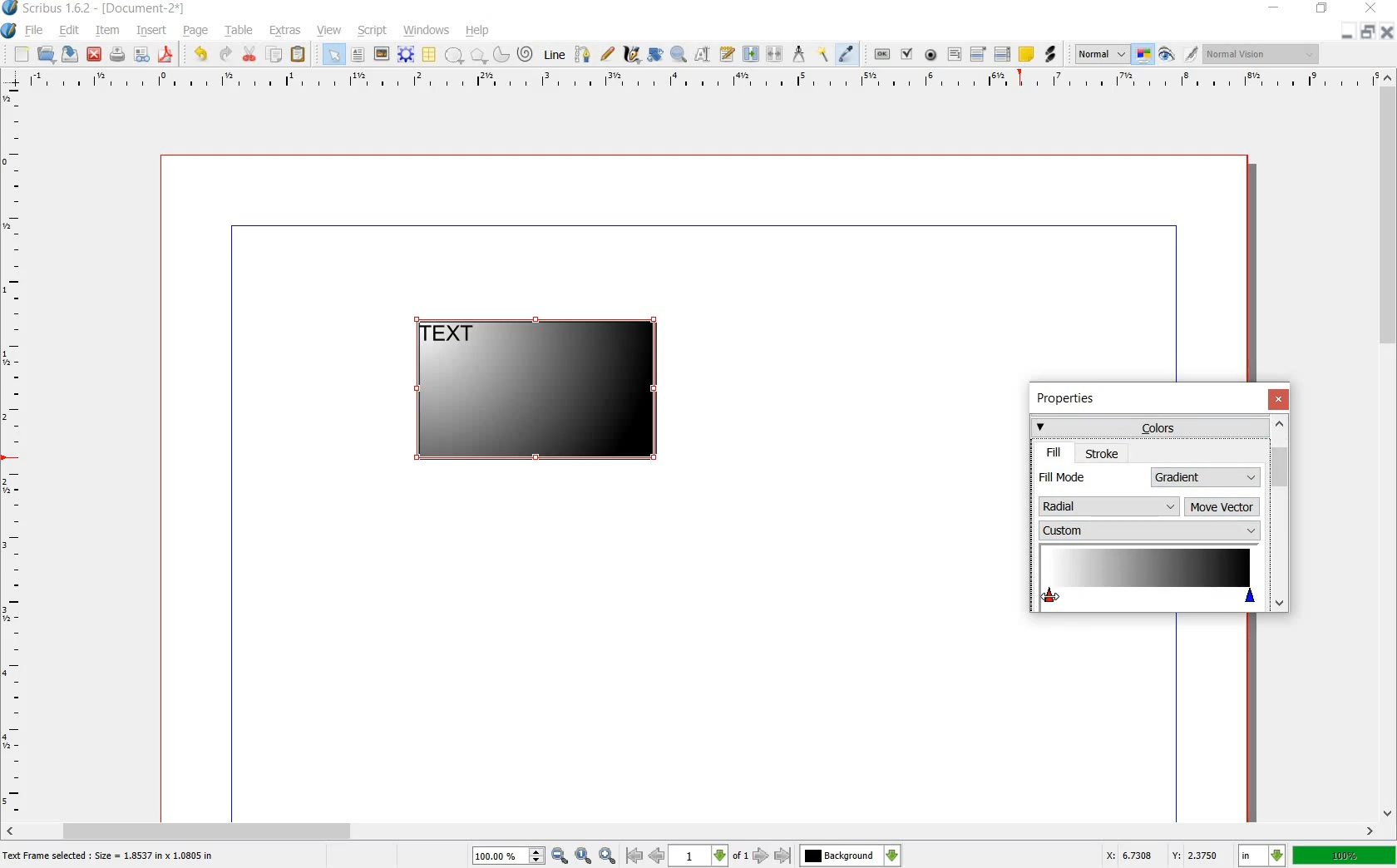 The width and height of the screenshot is (1397, 868). Describe the element at coordinates (1144, 55) in the screenshot. I see `toggle color management system` at that location.